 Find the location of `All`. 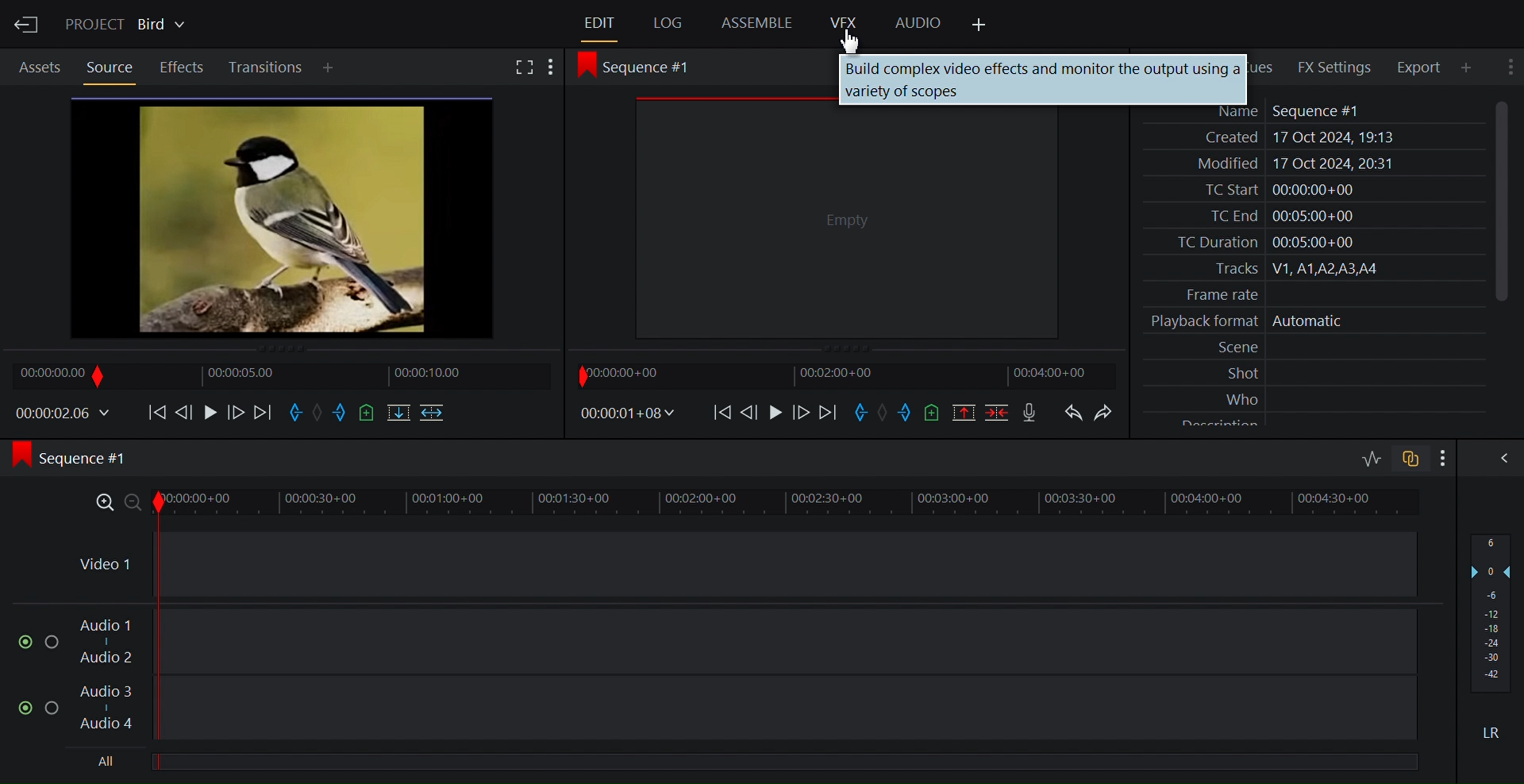

All is located at coordinates (732, 760).